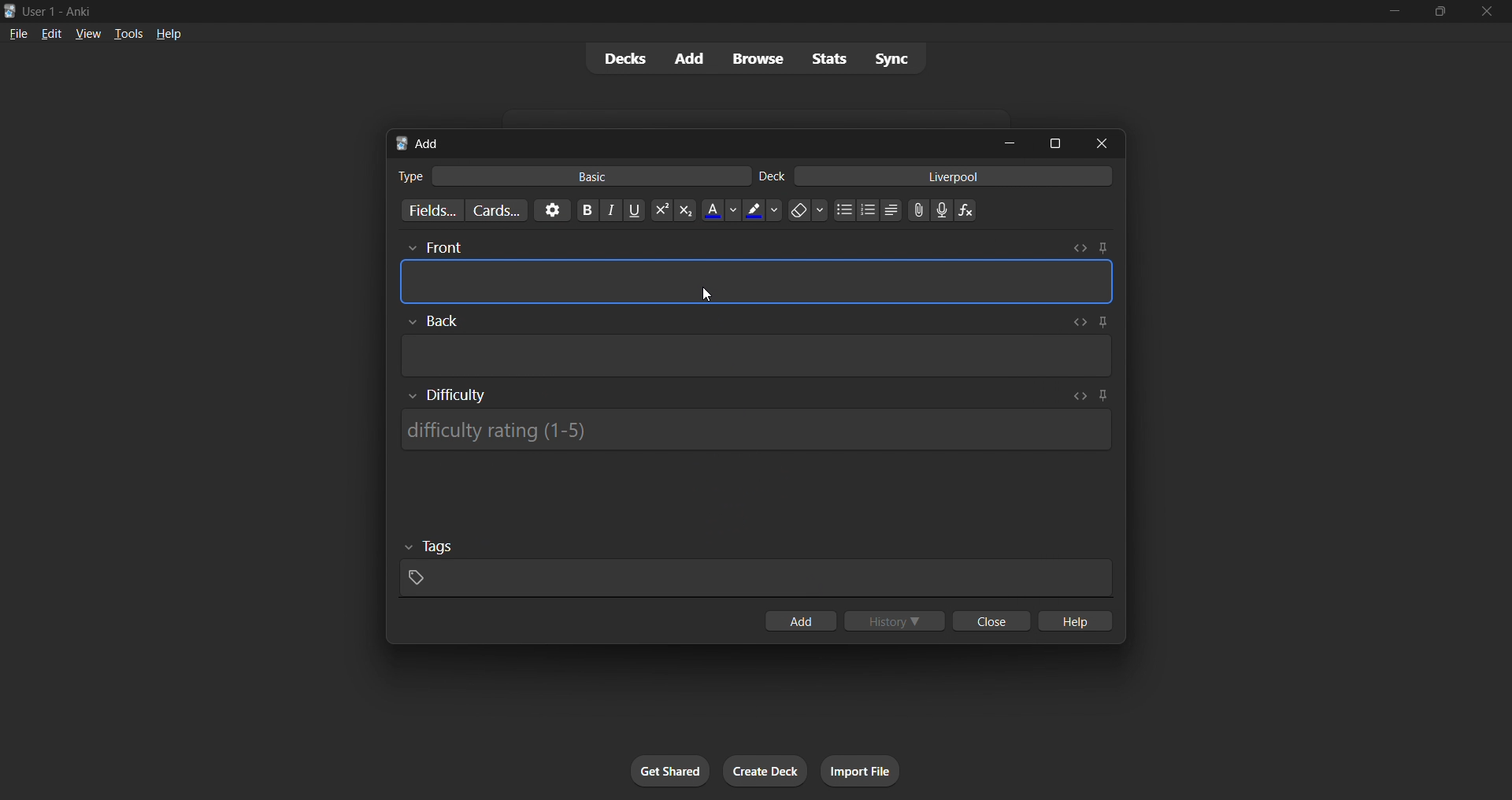 This screenshot has width=1512, height=800. What do you see at coordinates (1102, 248) in the screenshot?
I see `Toggle sticky` at bounding box center [1102, 248].